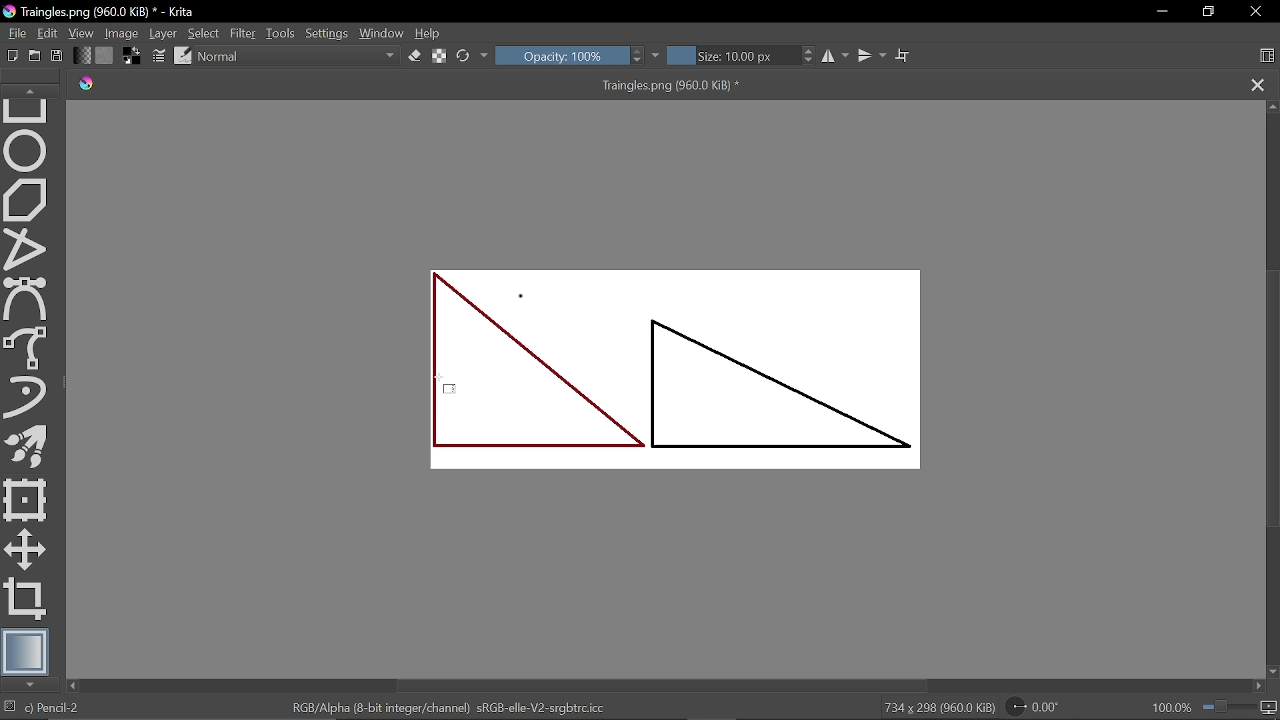 This screenshot has width=1280, height=720. What do you see at coordinates (47, 32) in the screenshot?
I see `Edit` at bounding box center [47, 32].